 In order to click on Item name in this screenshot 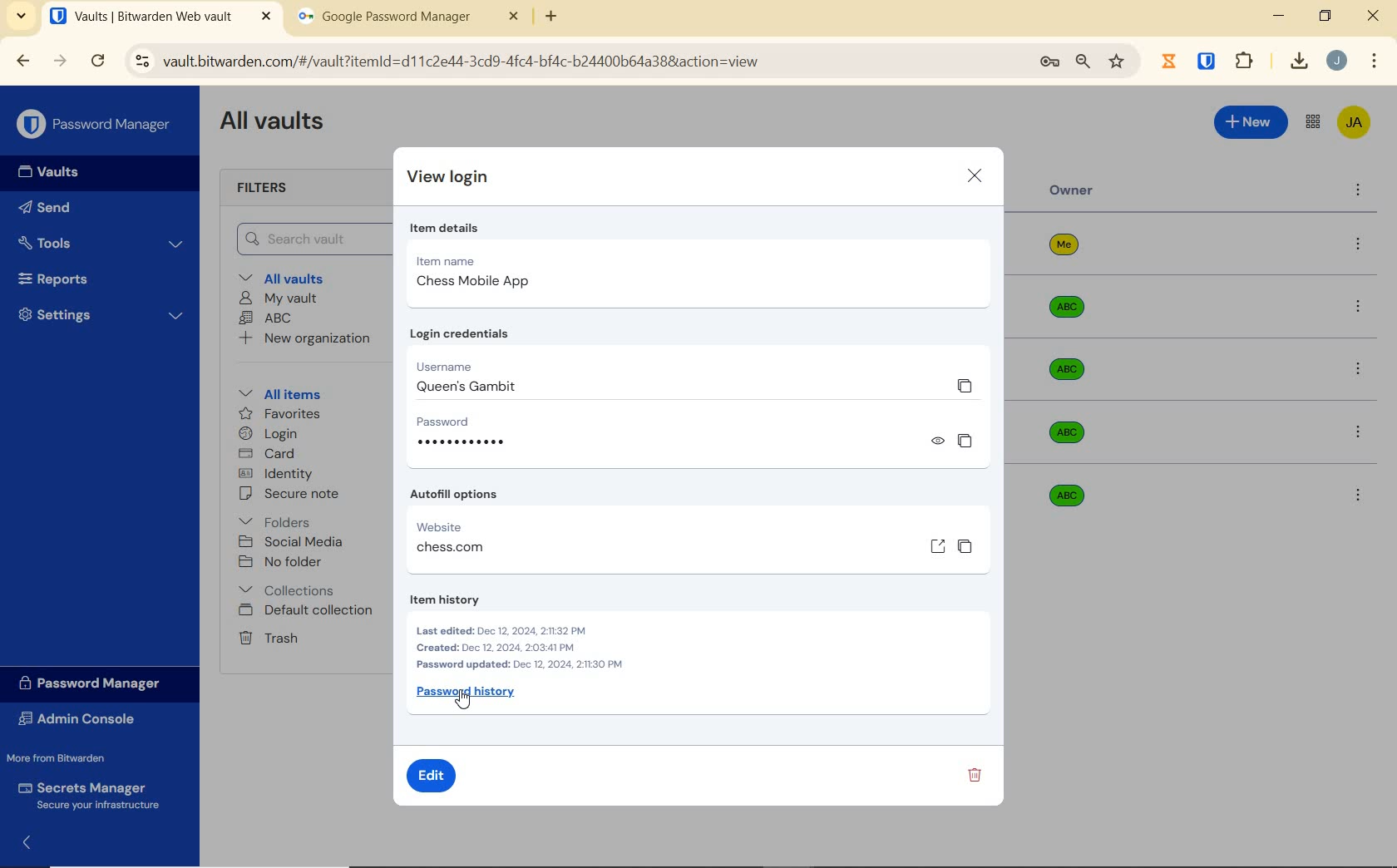, I will do `click(457, 260)`.